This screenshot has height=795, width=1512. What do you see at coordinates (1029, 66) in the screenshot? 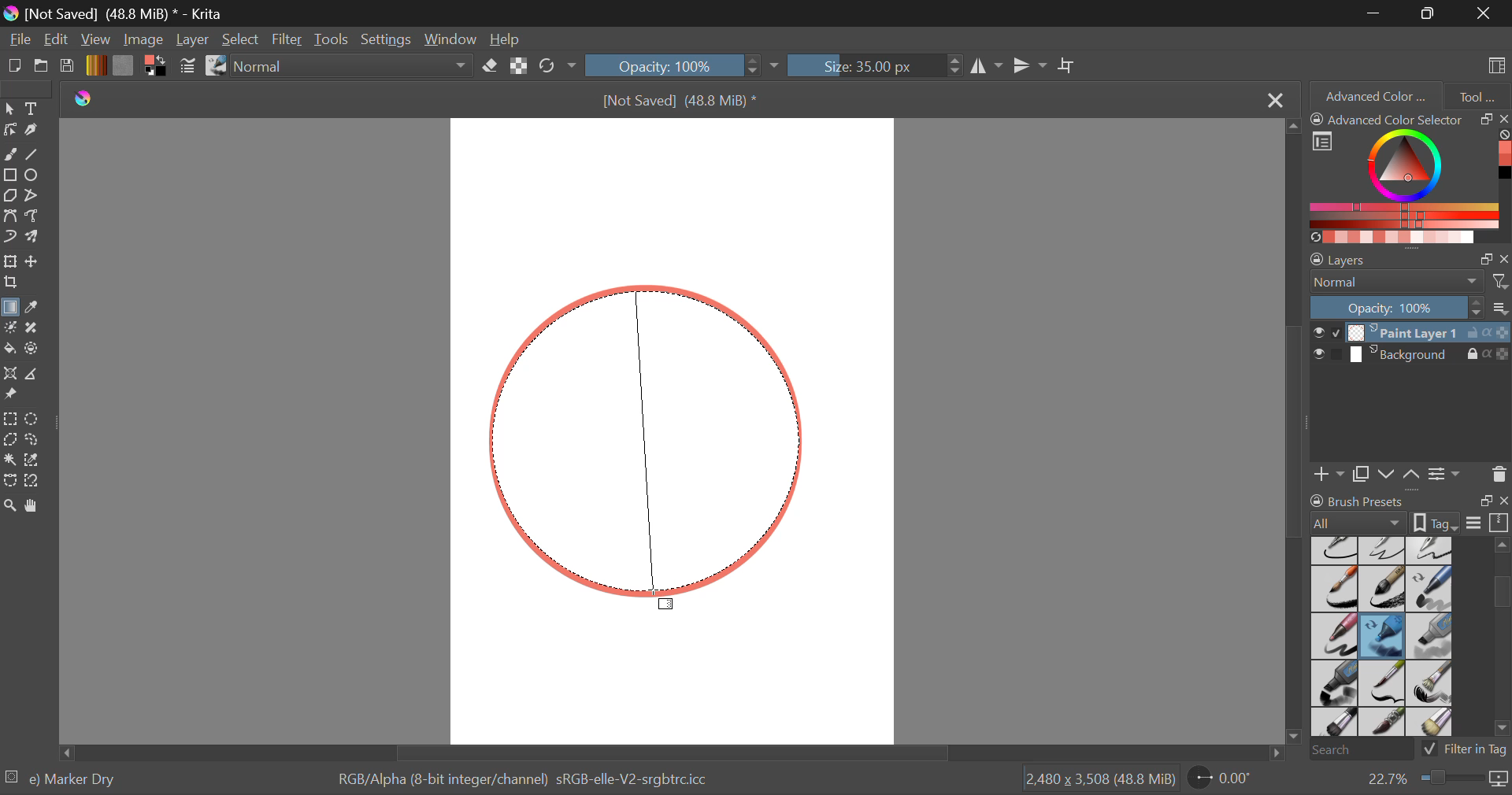
I see `Vertical Mirror Tool` at bounding box center [1029, 66].